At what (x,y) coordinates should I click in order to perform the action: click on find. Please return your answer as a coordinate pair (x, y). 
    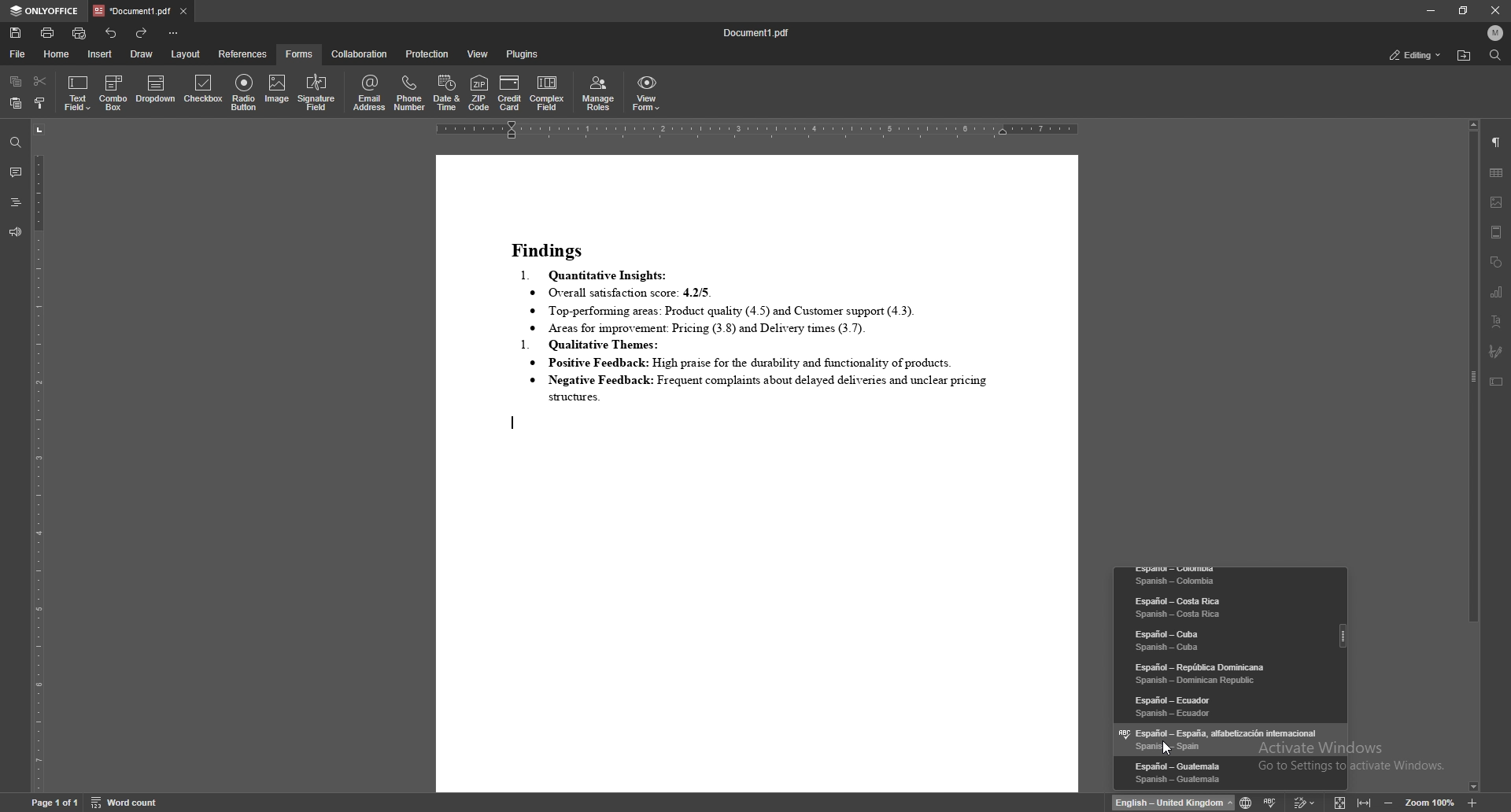
    Looking at the image, I should click on (1496, 54).